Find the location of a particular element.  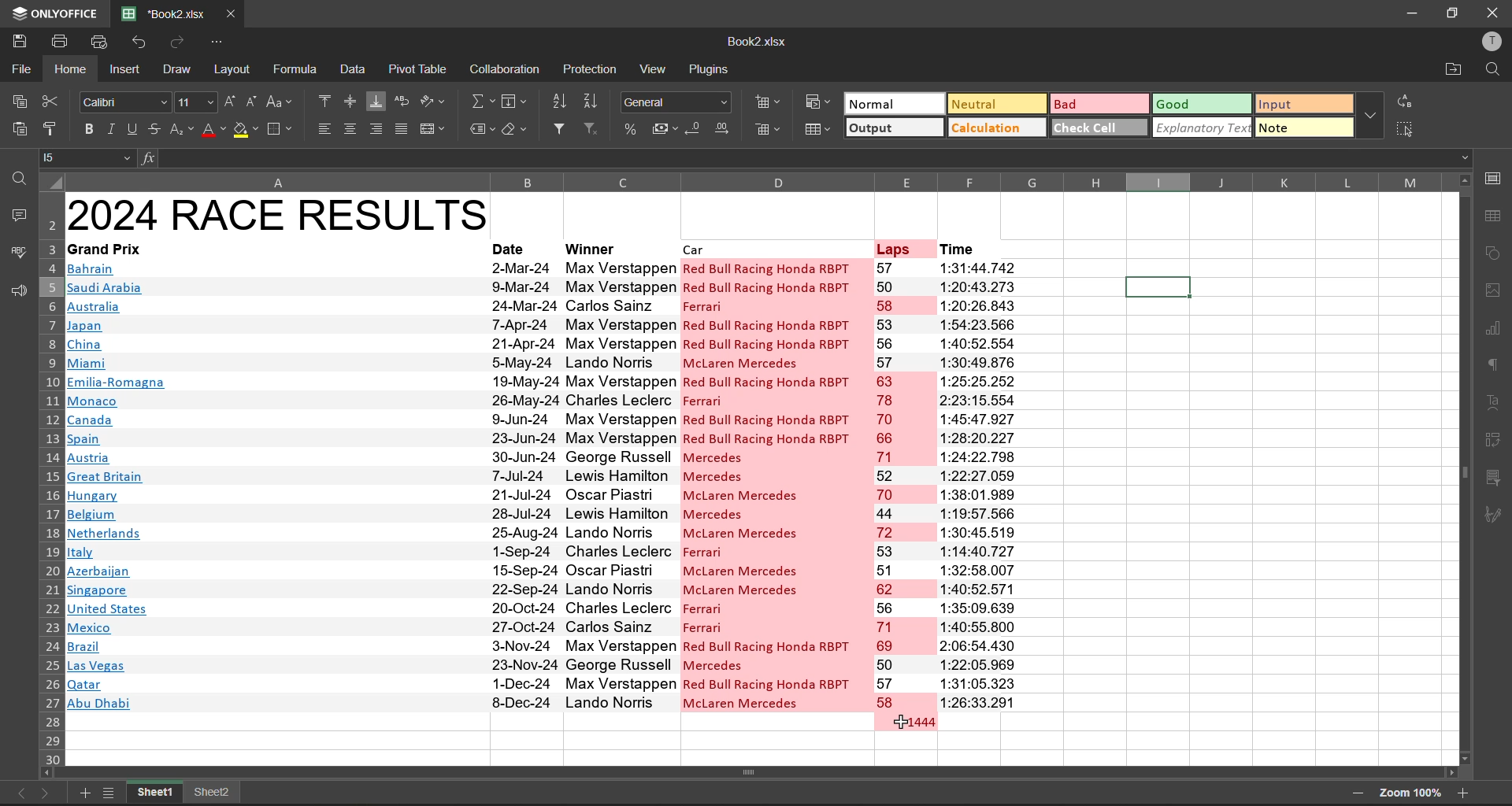

spellcheck is located at coordinates (16, 254).